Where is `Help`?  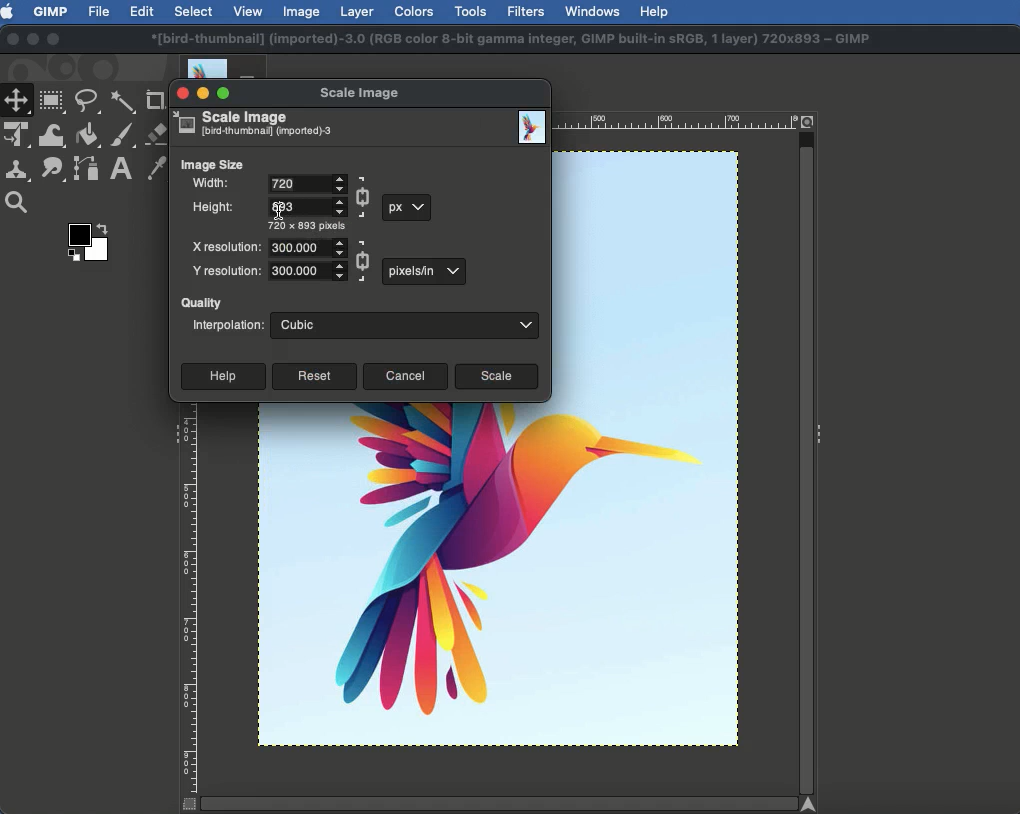 Help is located at coordinates (656, 12).